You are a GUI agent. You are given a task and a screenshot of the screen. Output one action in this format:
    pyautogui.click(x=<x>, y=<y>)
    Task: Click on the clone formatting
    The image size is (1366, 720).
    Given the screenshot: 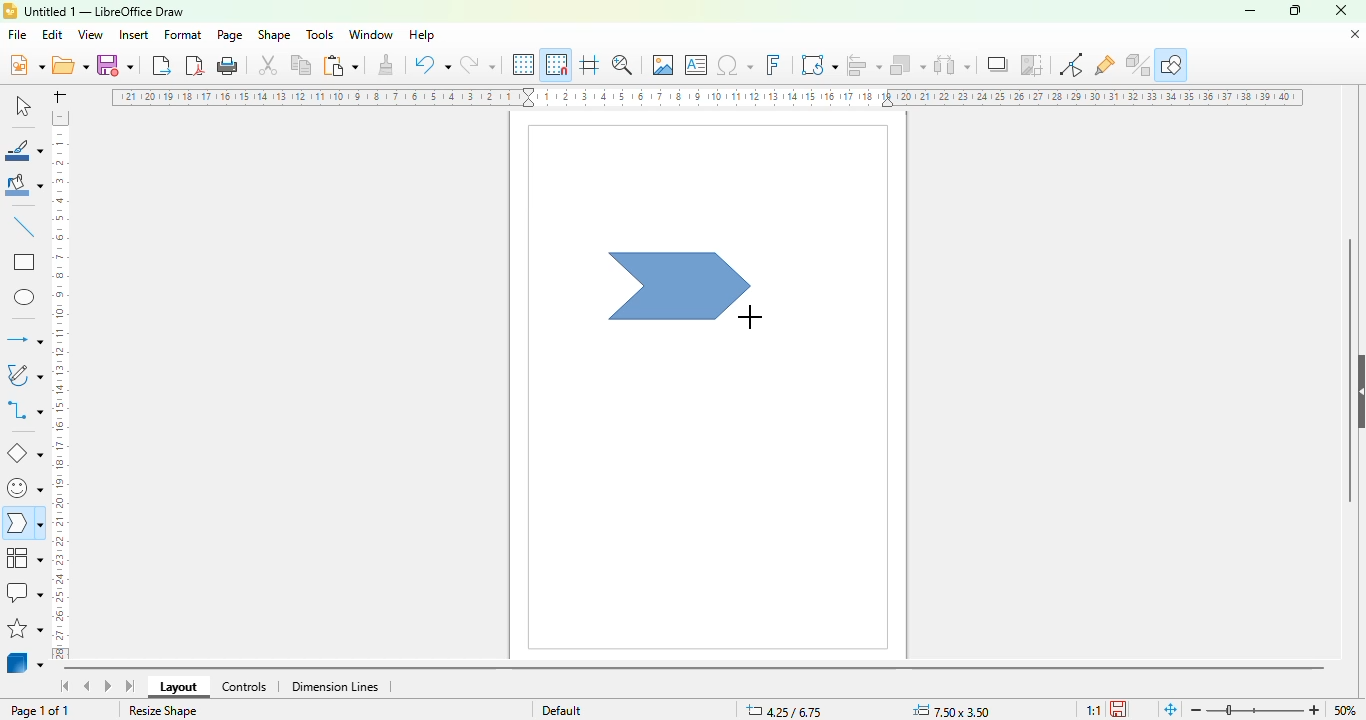 What is the action you would take?
    pyautogui.click(x=387, y=63)
    